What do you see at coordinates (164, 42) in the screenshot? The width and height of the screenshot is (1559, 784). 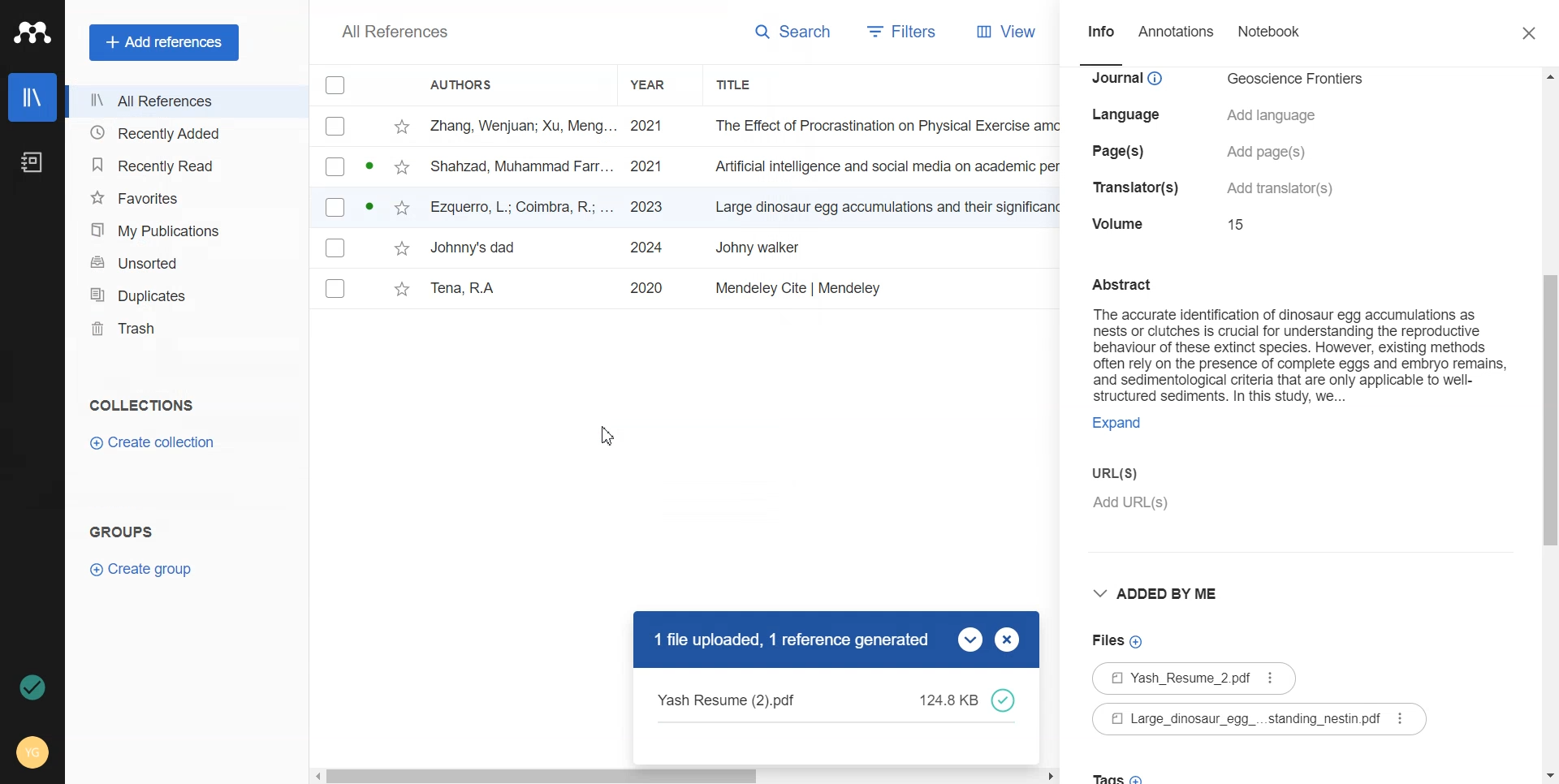 I see `Add references` at bounding box center [164, 42].